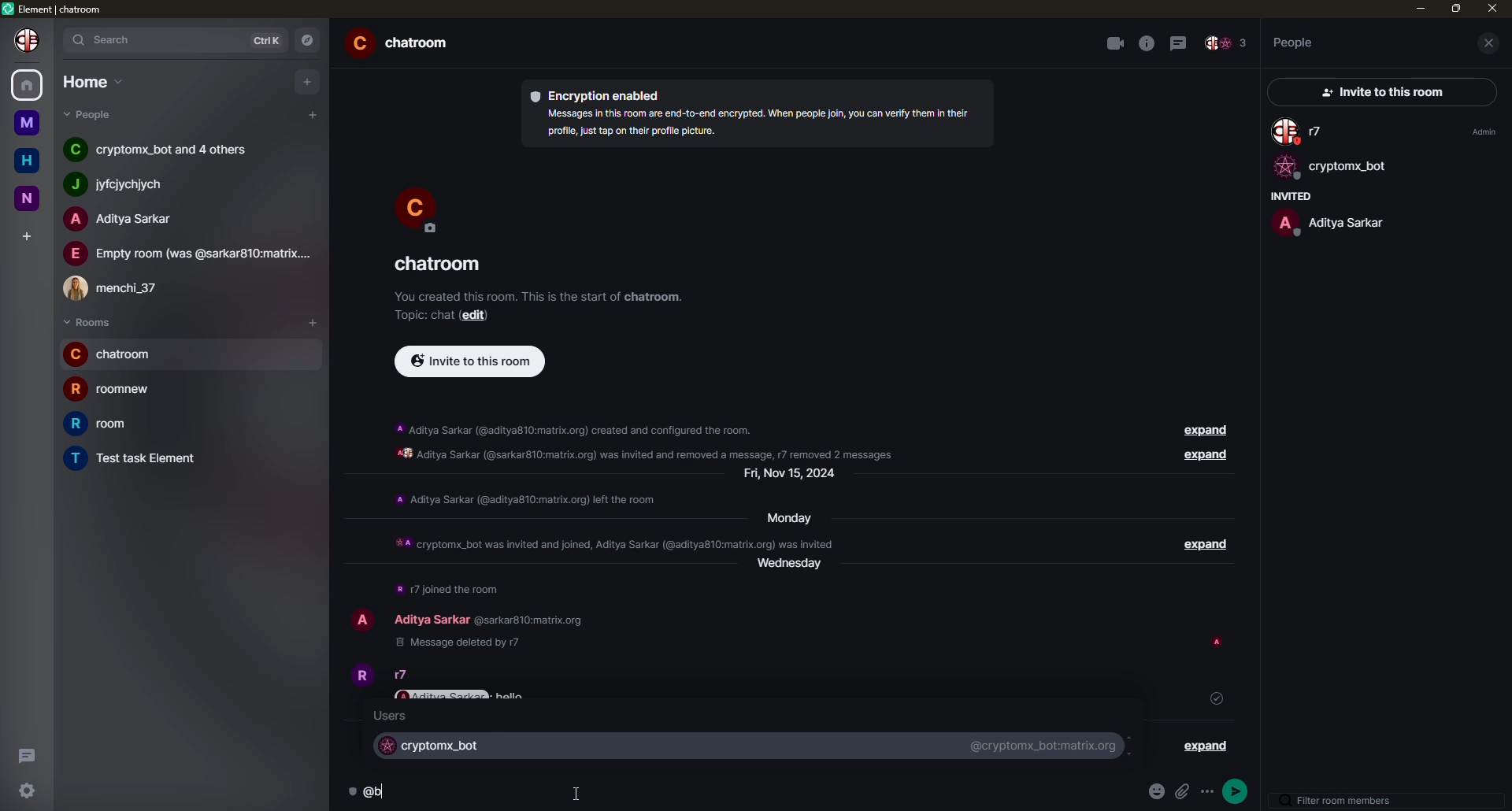  Describe the element at coordinates (652, 441) in the screenshot. I see `info` at that location.